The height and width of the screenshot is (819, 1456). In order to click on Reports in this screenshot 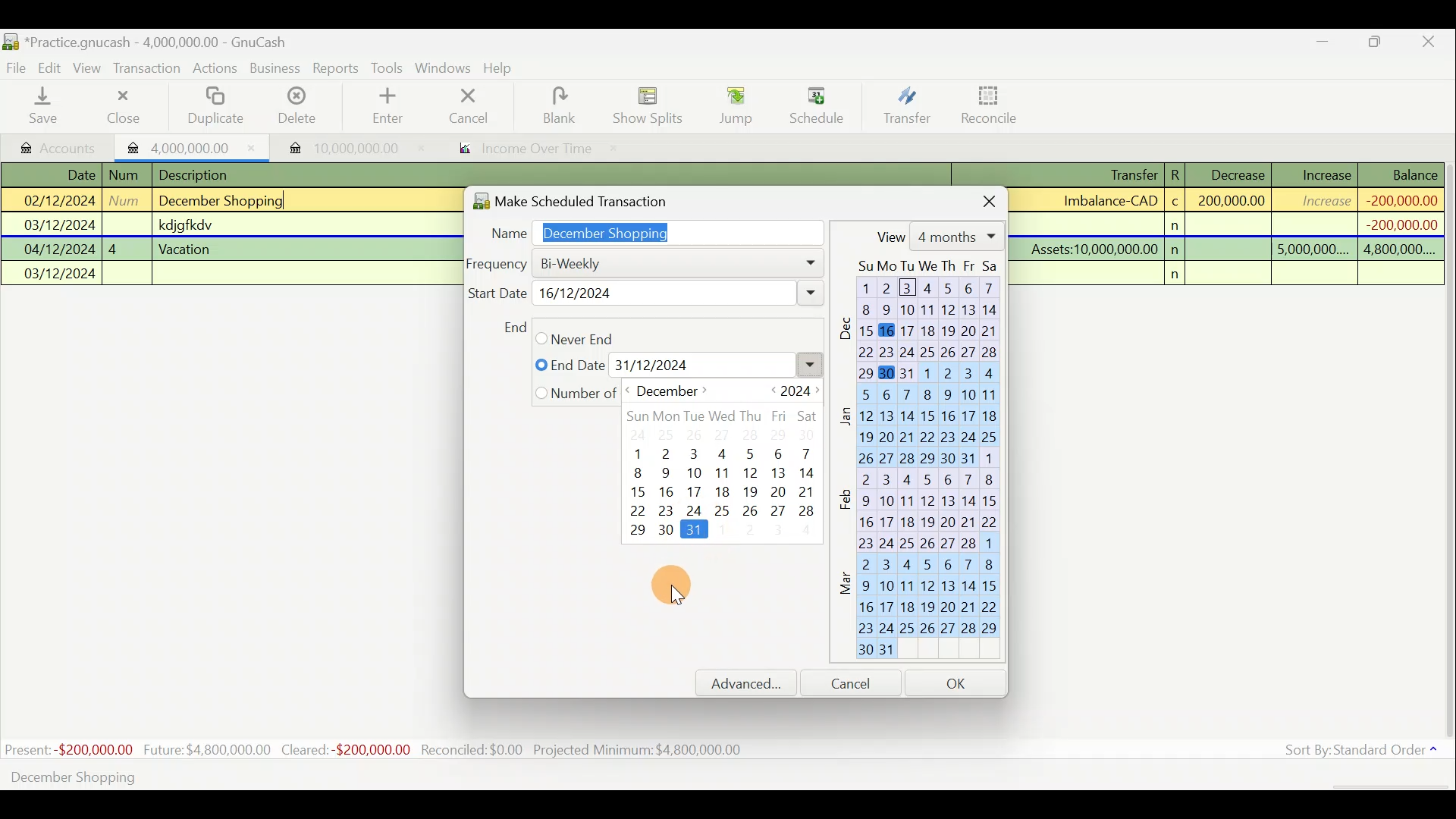, I will do `click(336, 68)`.